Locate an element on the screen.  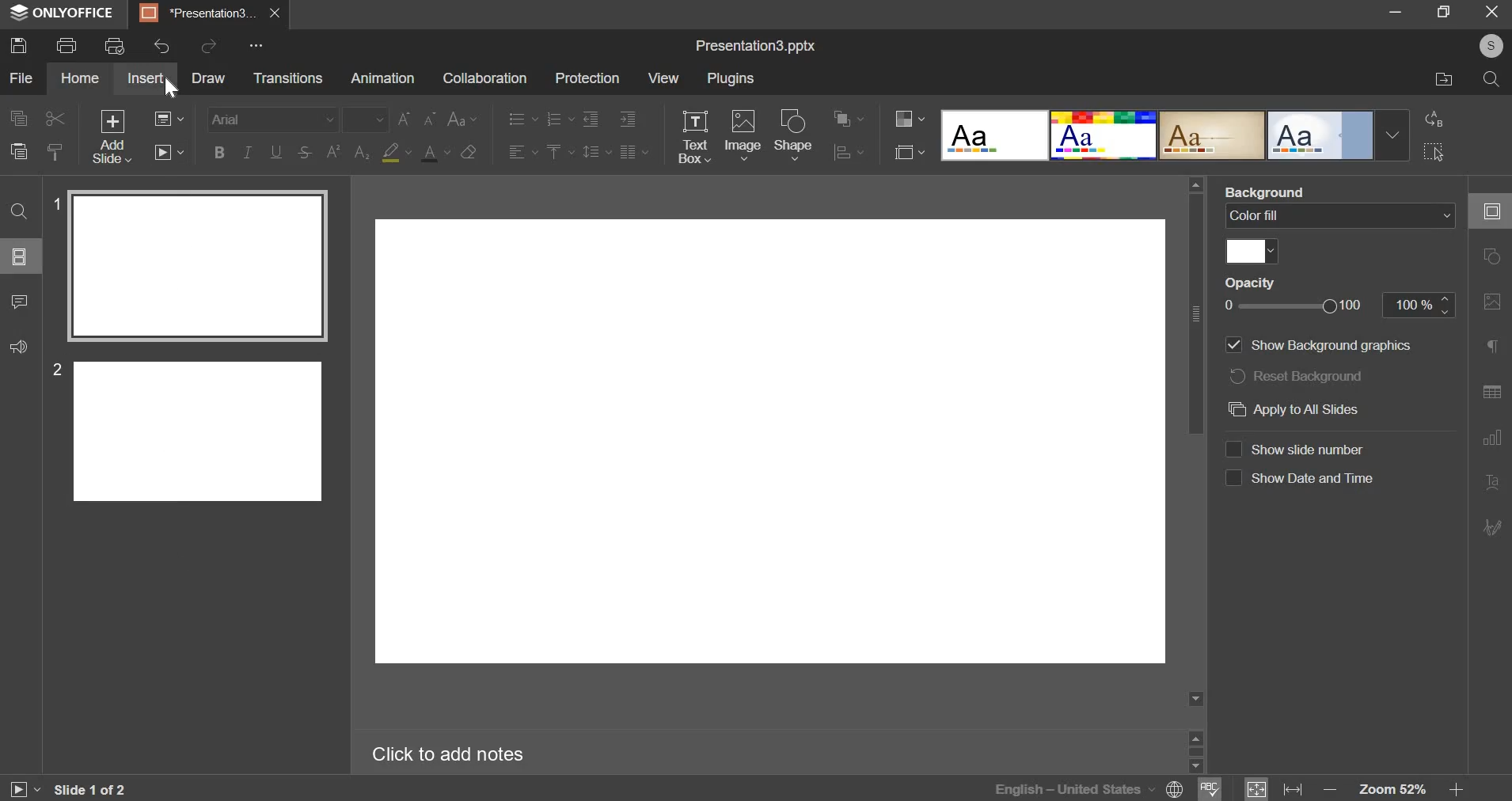
font size change is located at coordinates (416, 119).